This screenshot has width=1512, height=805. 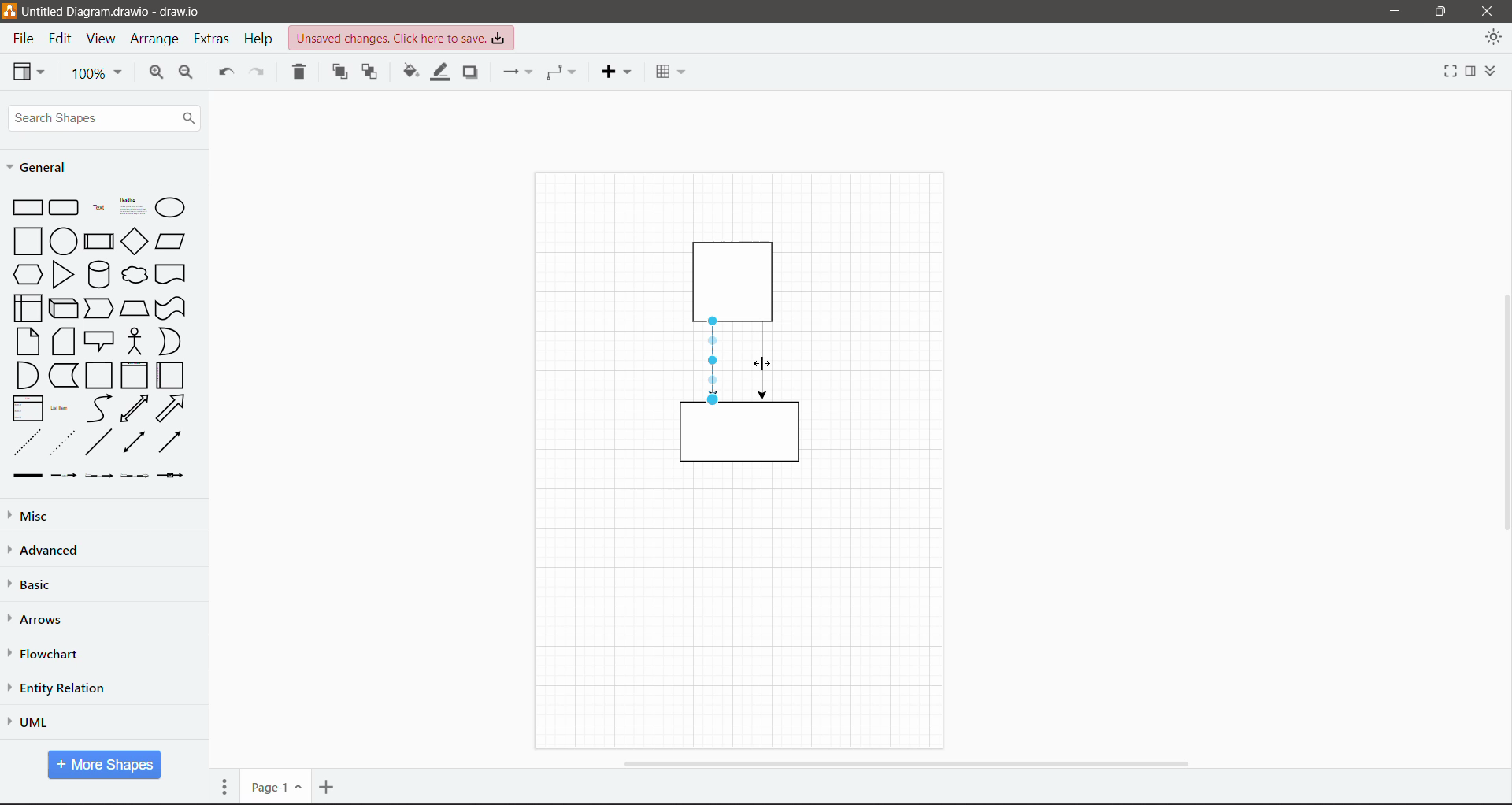 What do you see at coordinates (65, 206) in the screenshot?
I see `Rounded Rectangle` at bounding box center [65, 206].